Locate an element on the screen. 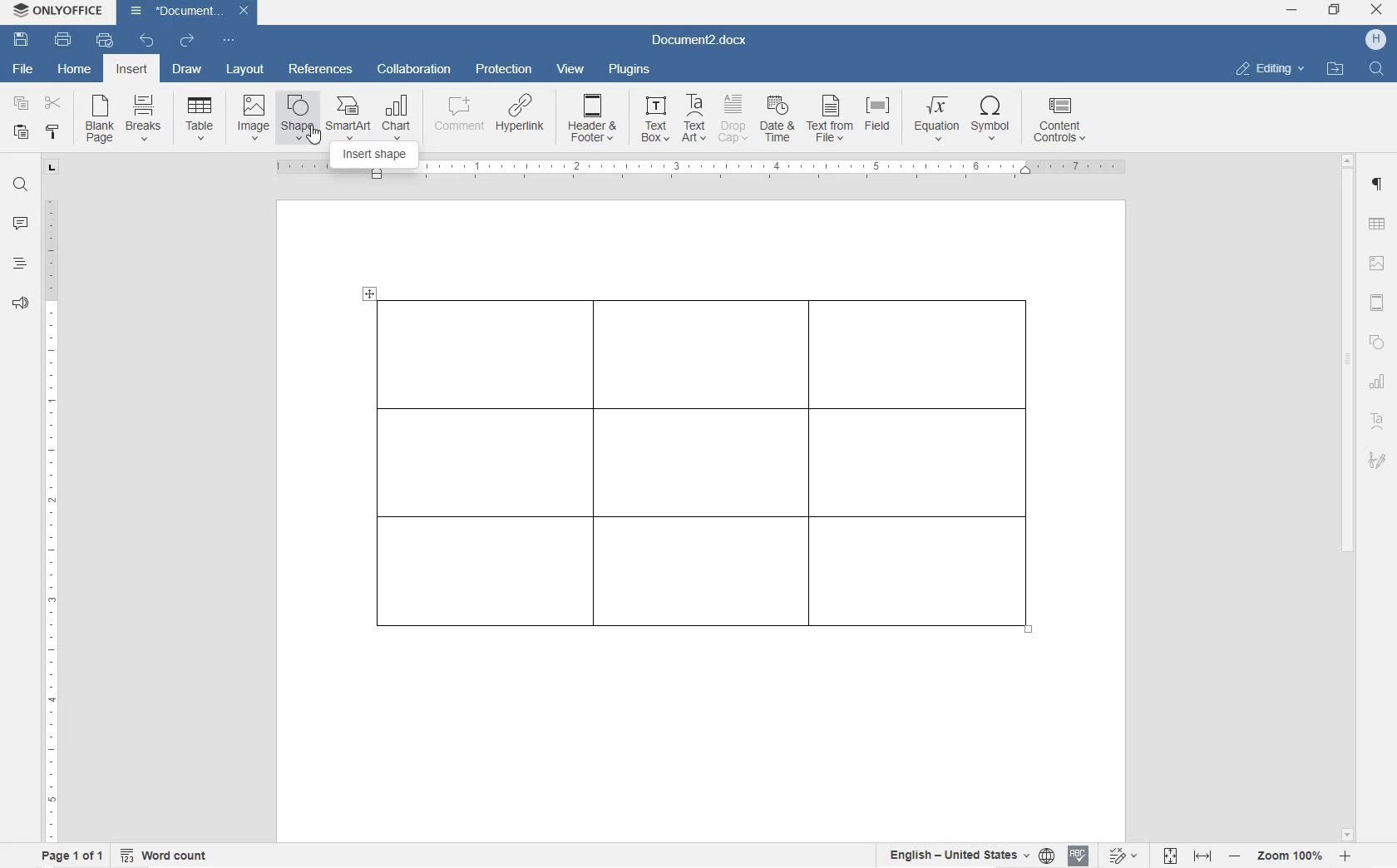  home is located at coordinates (76, 70).